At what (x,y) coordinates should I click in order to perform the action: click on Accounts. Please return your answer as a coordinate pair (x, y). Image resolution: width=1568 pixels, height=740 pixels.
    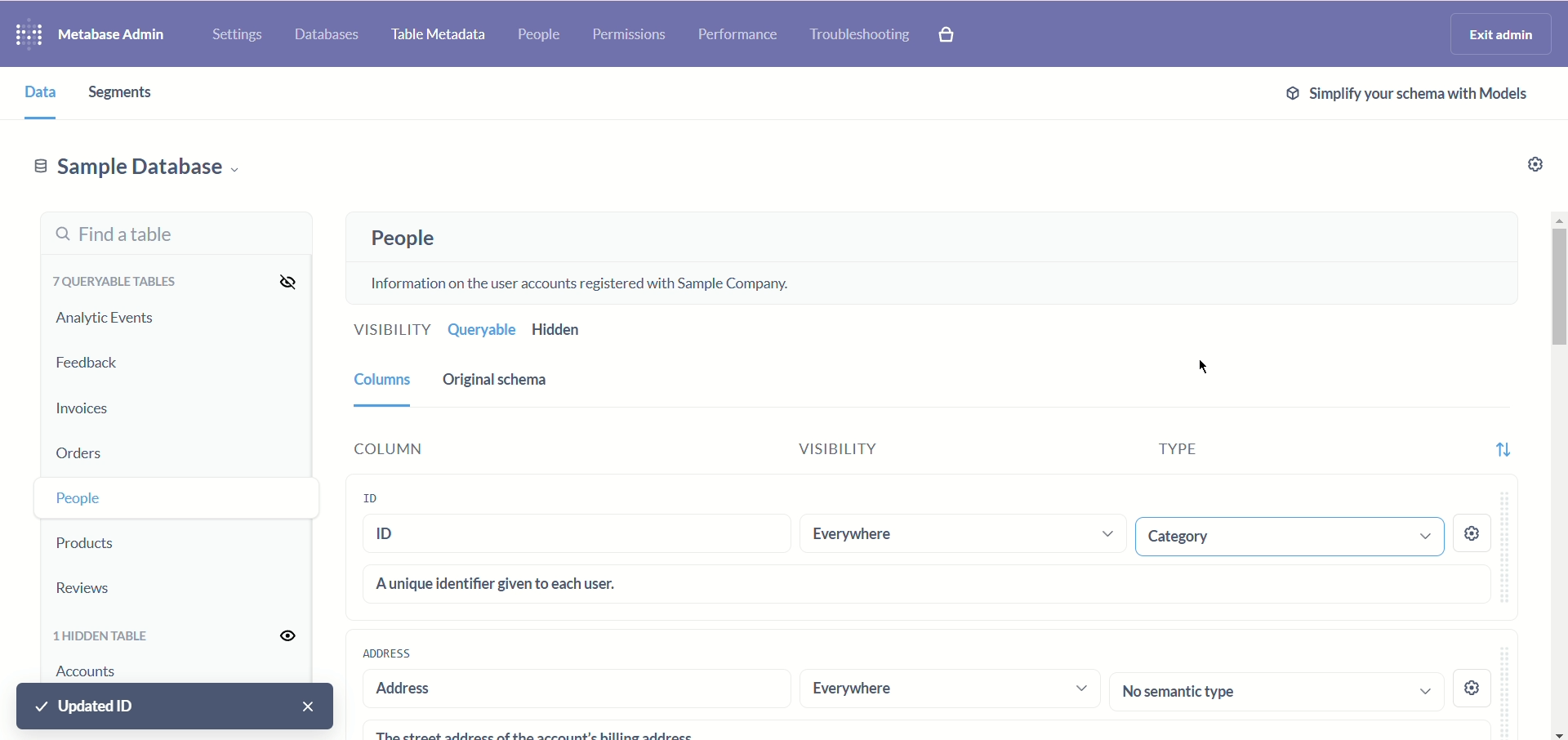
    Looking at the image, I should click on (91, 673).